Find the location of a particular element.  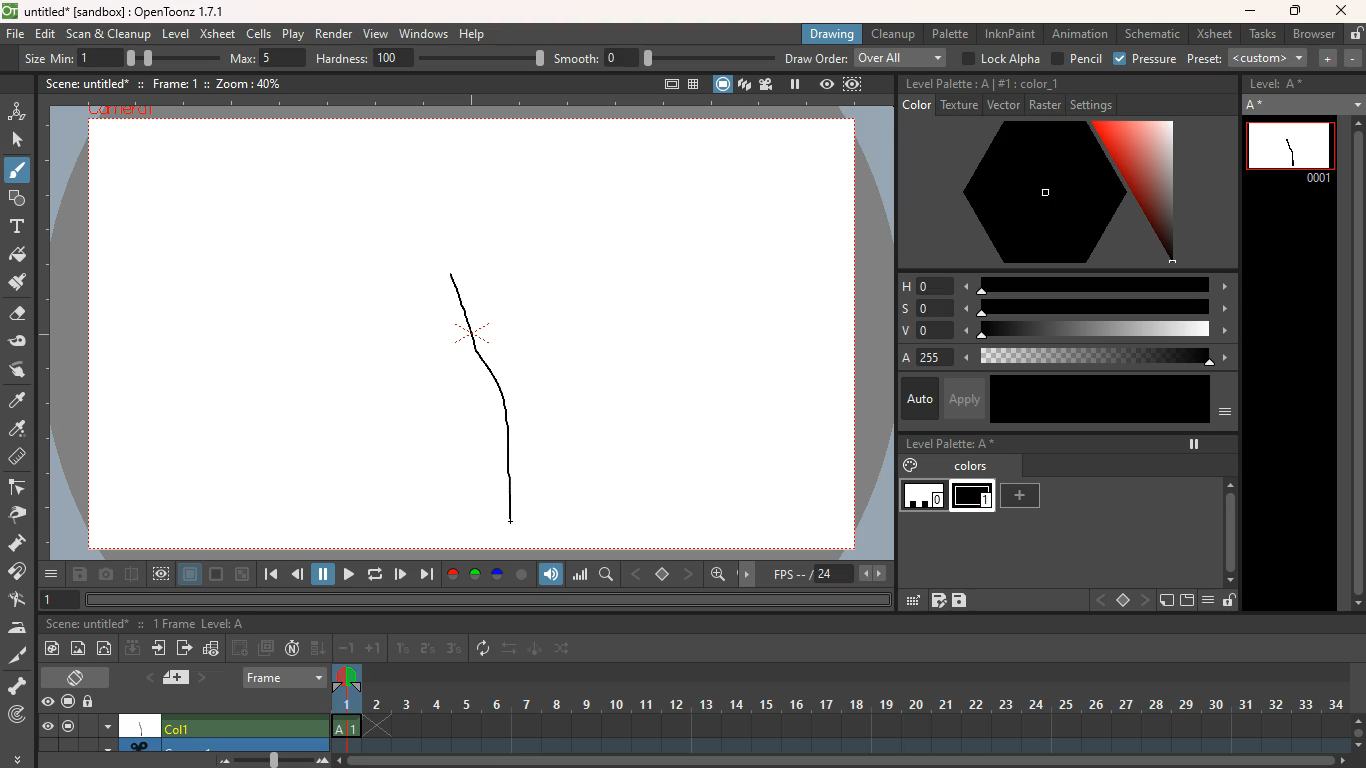

preset: is located at coordinates (1249, 58).